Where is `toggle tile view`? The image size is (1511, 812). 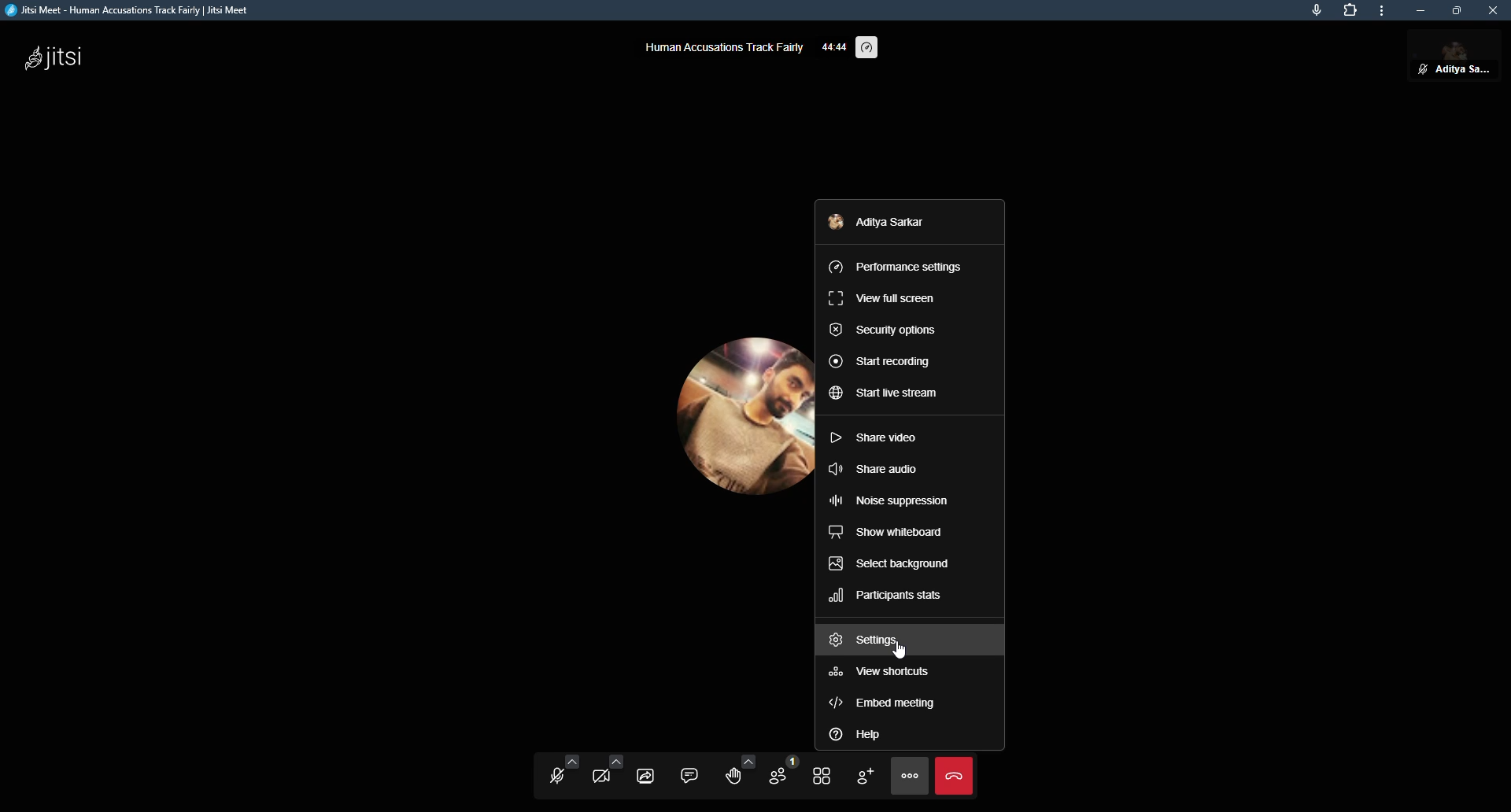
toggle tile view is located at coordinates (818, 775).